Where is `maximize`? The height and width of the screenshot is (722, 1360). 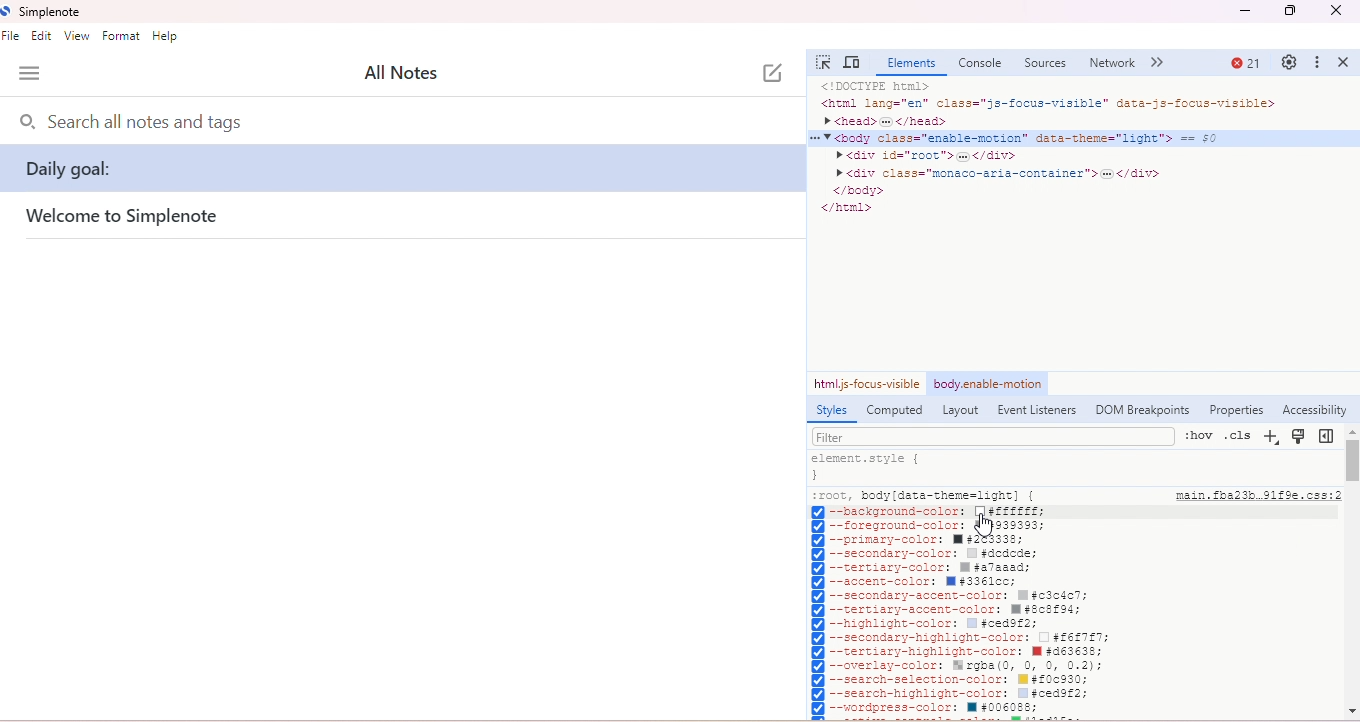 maximize is located at coordinates (1291, 13).